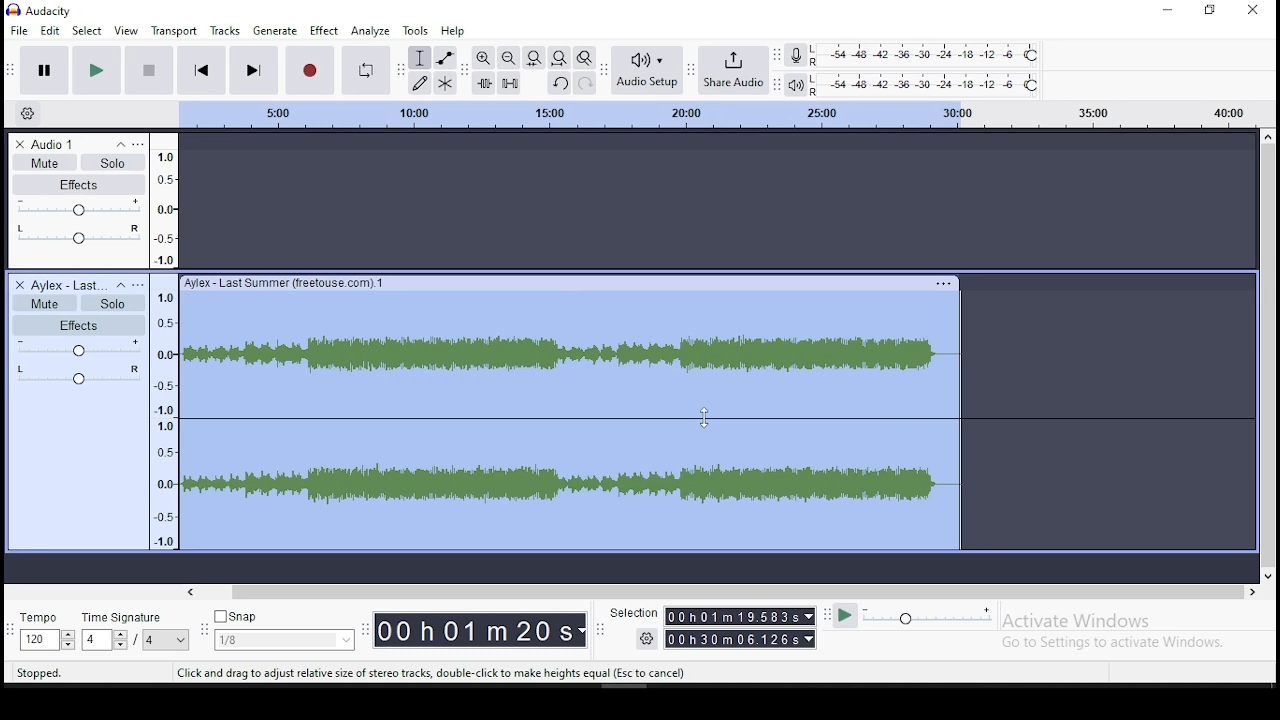 The width and height of the screenshot is (1280, 720). What do you see at coordinates (1165, 10) in the screenshot?
I see `minimize` at bounding box center [1165, 10].